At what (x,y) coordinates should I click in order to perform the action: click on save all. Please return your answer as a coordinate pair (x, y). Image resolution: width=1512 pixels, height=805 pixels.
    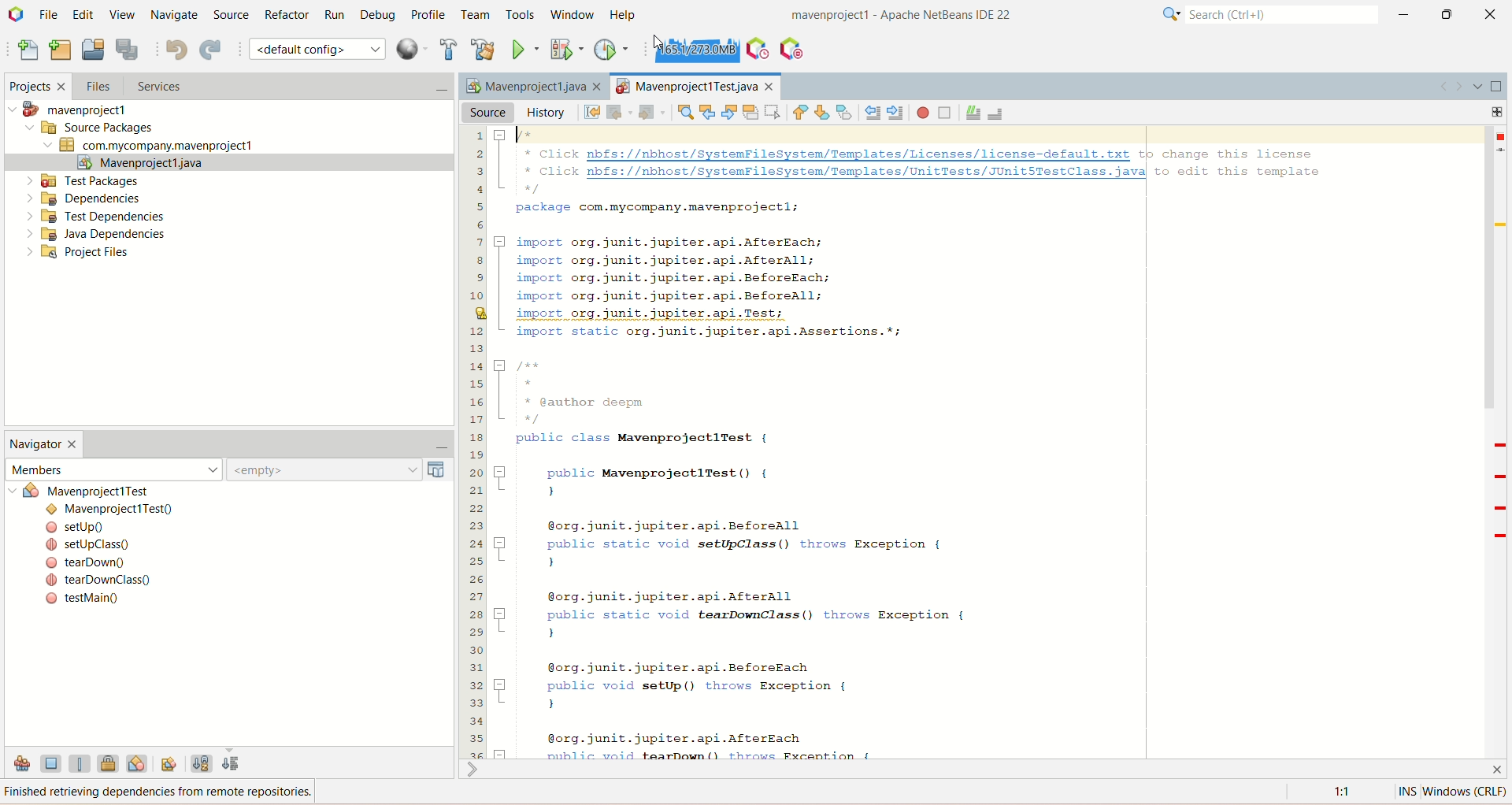
    Looking at the image, I should click on (127, 50).